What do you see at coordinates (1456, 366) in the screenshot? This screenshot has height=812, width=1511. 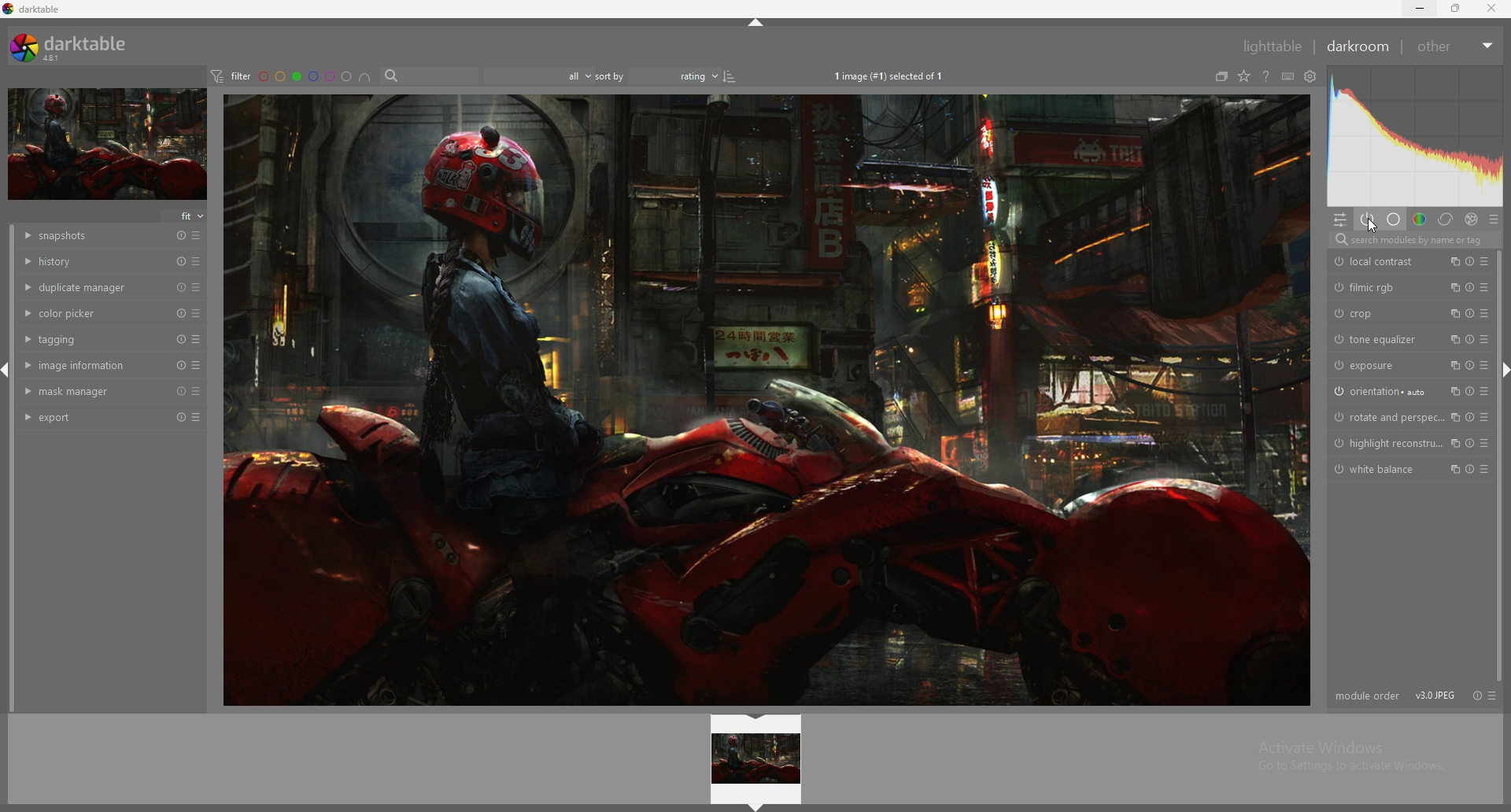 I see `multiple instances action` at bounding box center [1456, 366].